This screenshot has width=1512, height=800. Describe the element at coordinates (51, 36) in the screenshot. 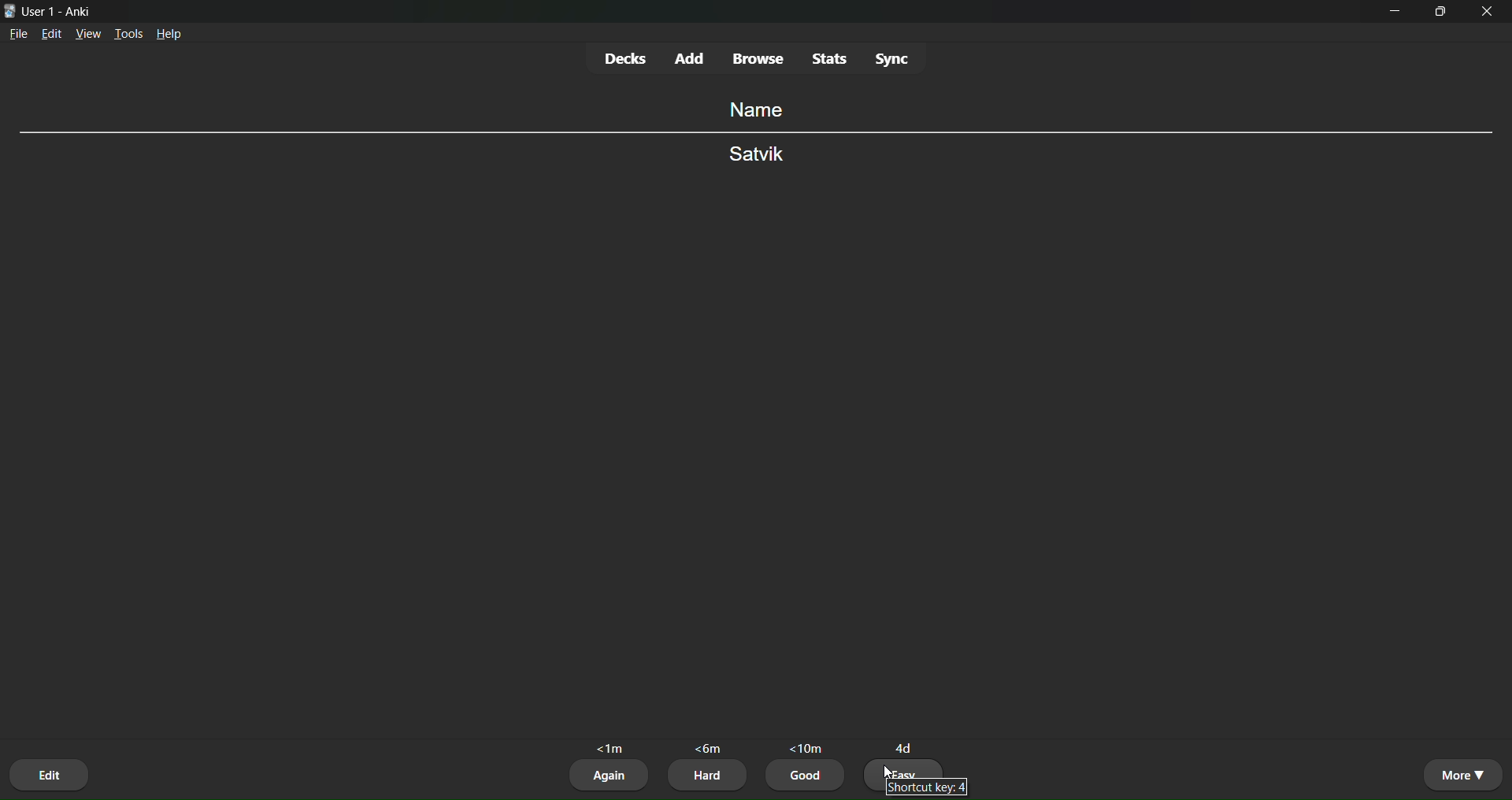

I see `edit` at that location.